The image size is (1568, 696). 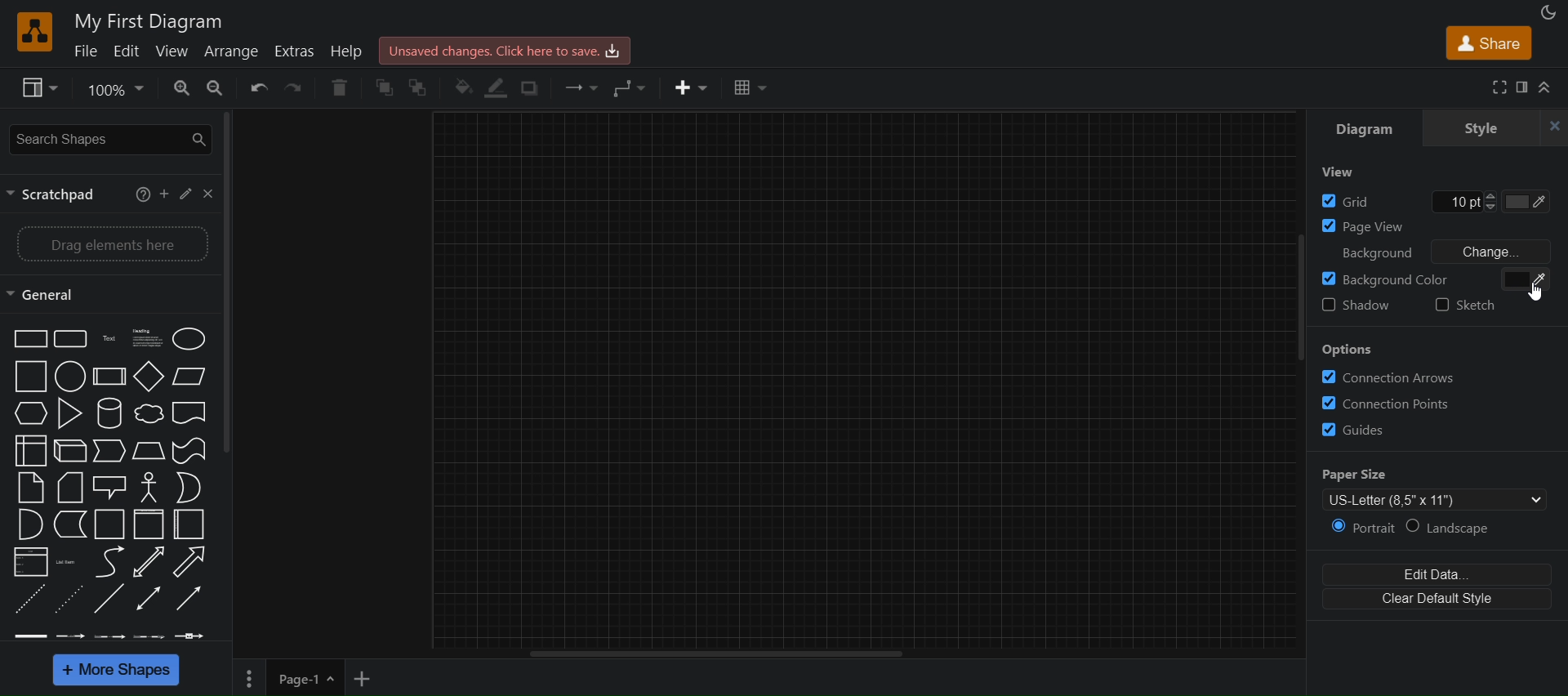 What do you see at coordinates (1441, 575) in the screenshot?
I see `edit data` at bounding box center [1441, 575].